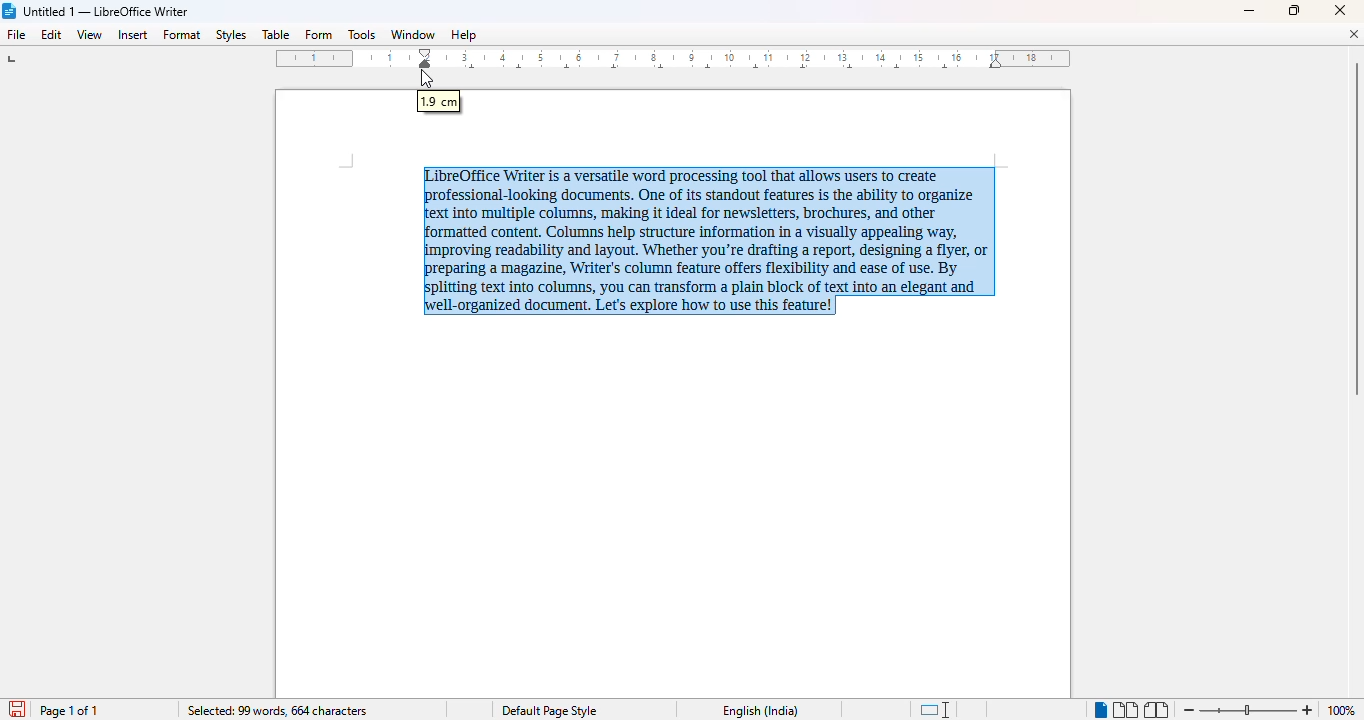 This screenshot has height=720, width=1364. I want to click on Untitled 1 -- LibreOffice Writer, so click(107, 12).